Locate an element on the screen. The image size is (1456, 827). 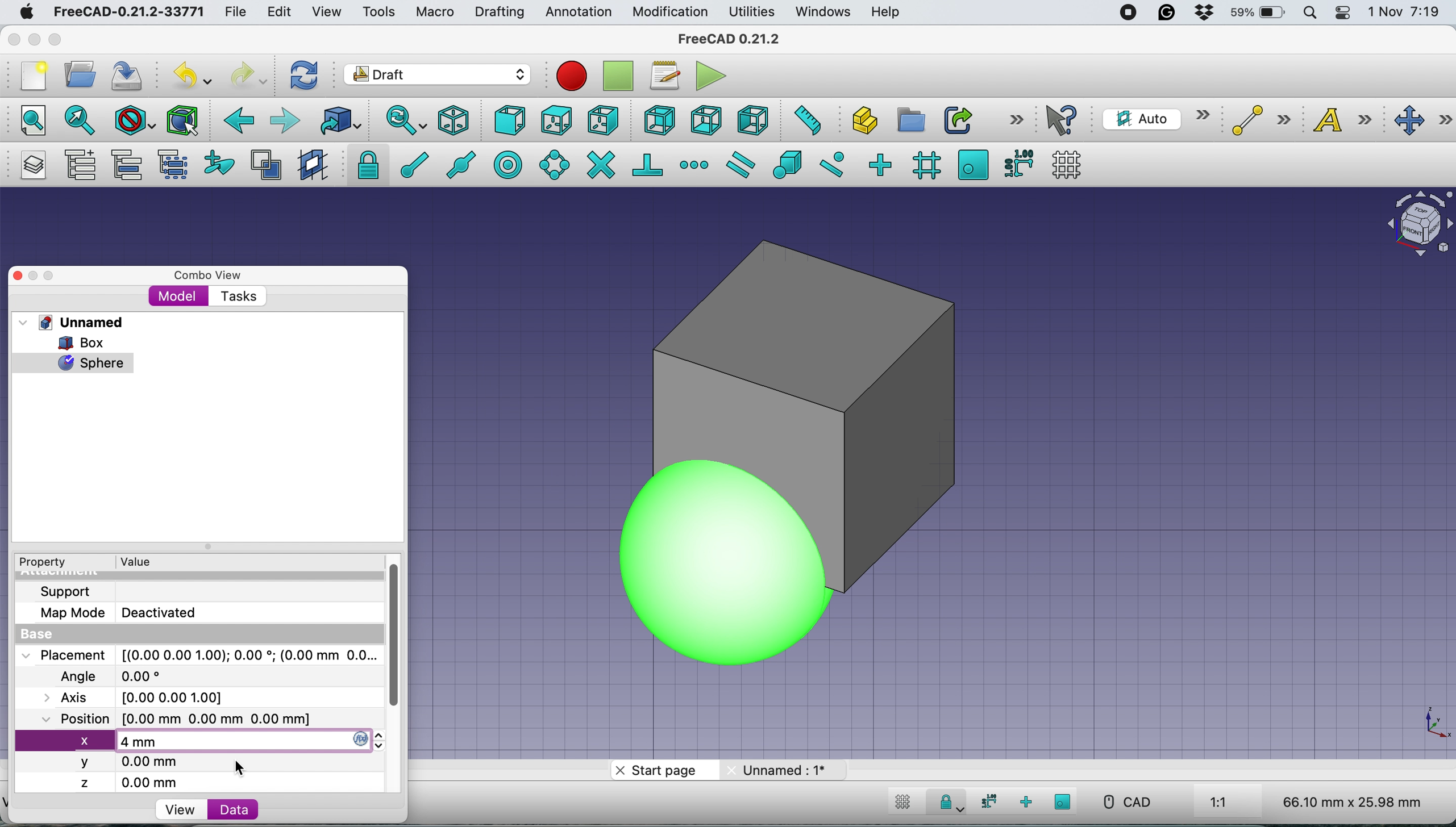
move is located at coordinates (1424, 121).